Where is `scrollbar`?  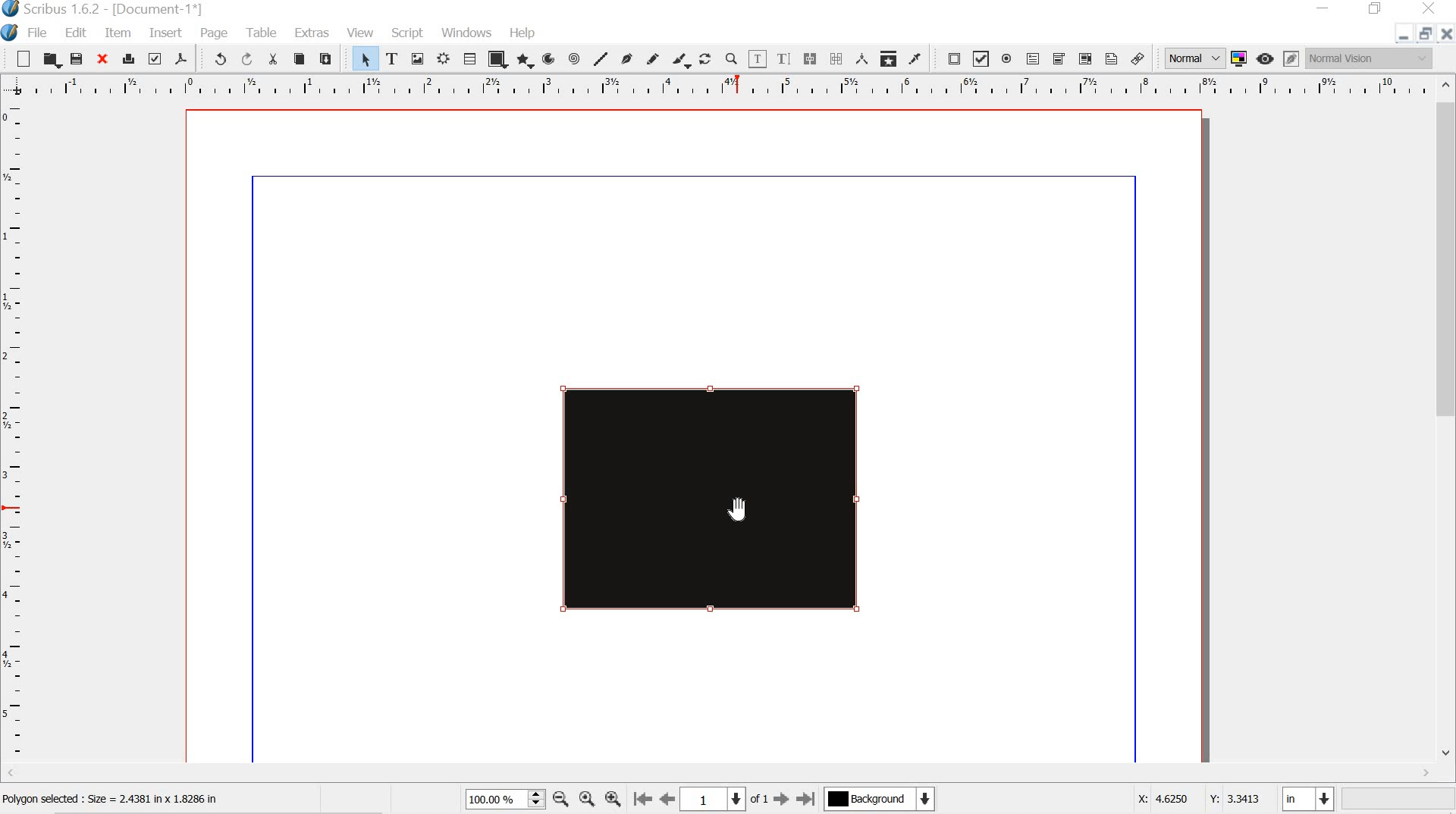 scrollbar is located at coordinates (1447, 428).